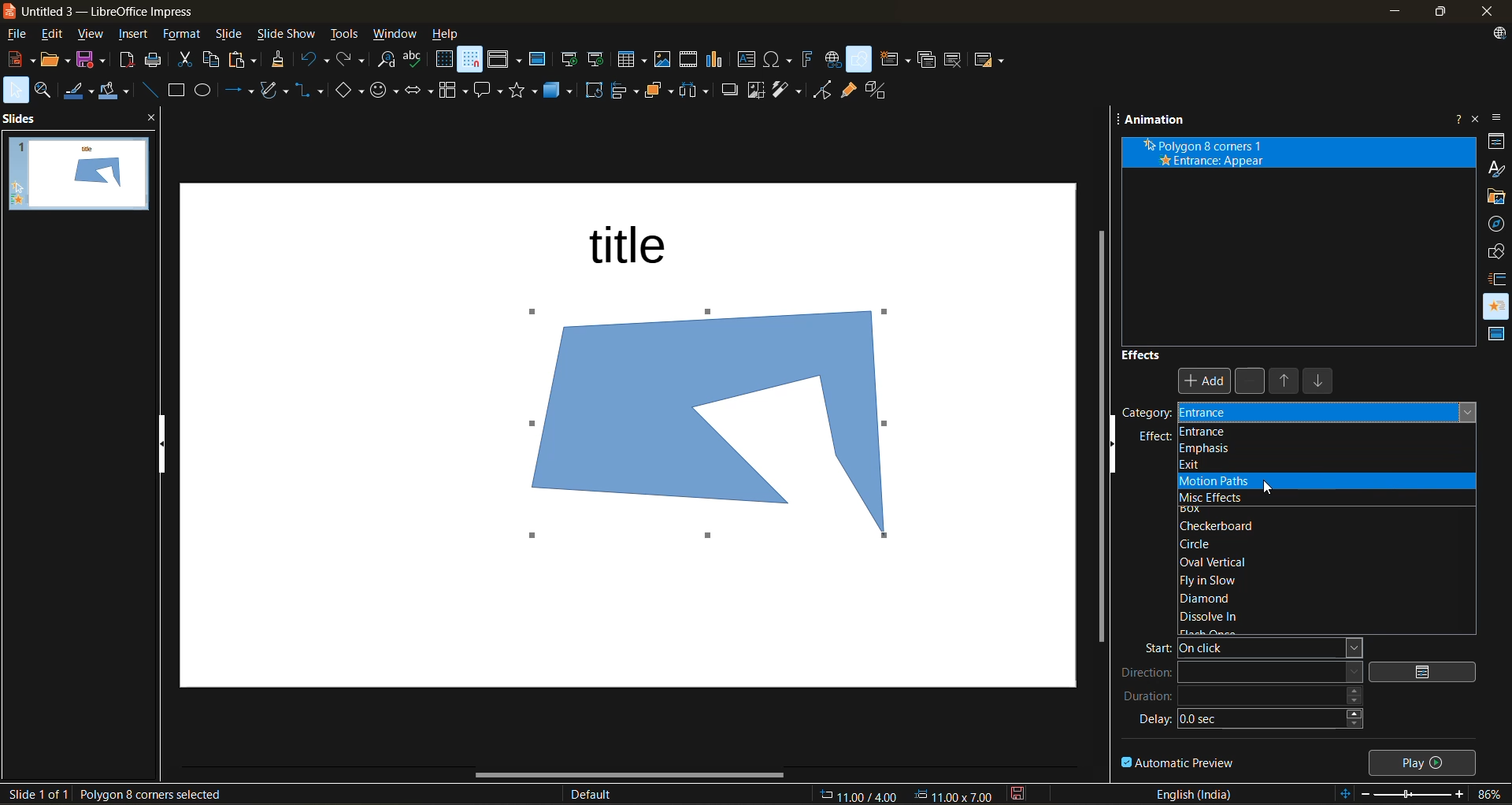 The height and width of the screenshot is (805, 1512). Describe the element at coordinates (744, 61) in the screenshot. I see `insert textbox` at that location.